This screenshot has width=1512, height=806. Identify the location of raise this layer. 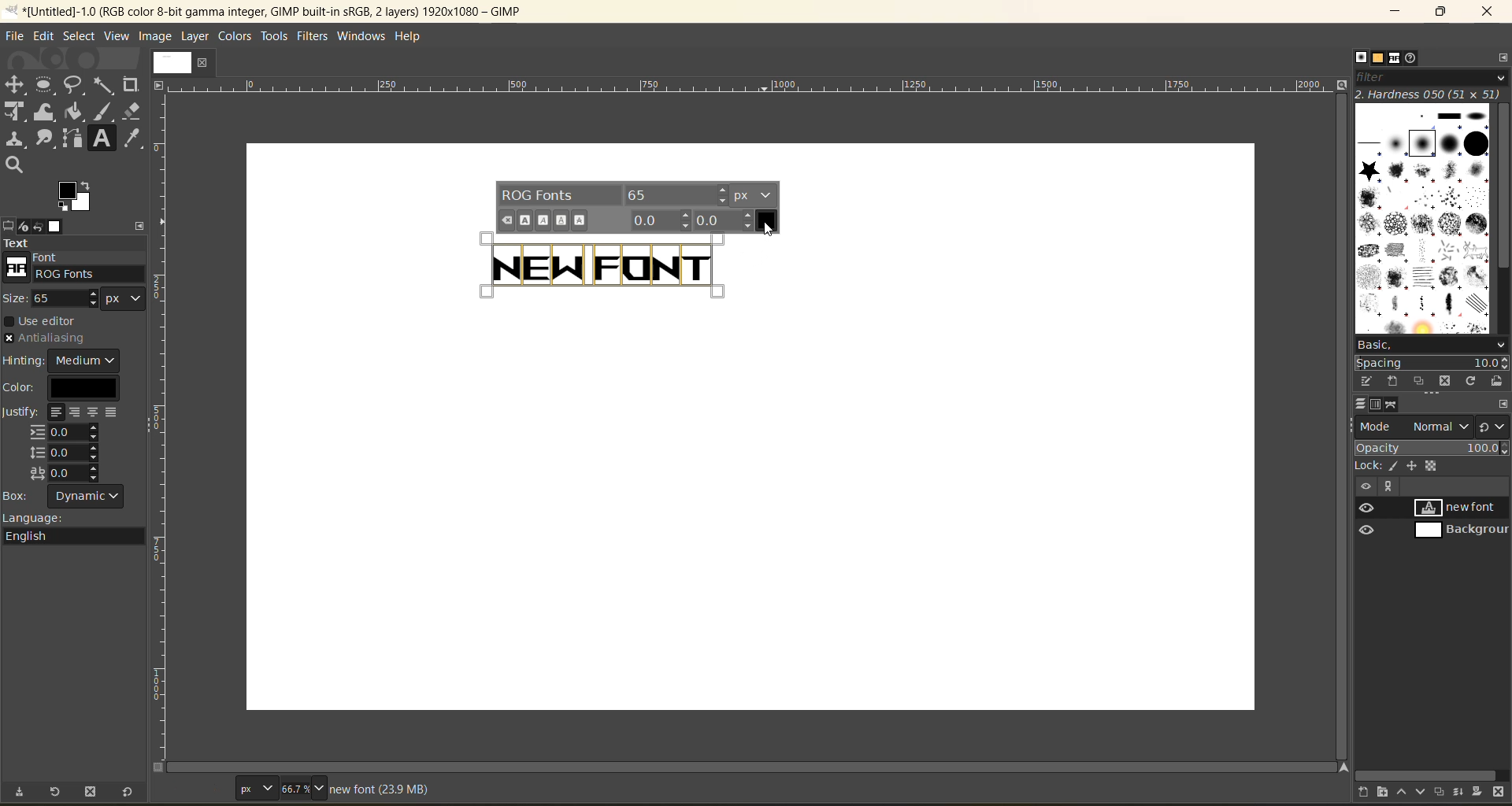
(1406, 790).